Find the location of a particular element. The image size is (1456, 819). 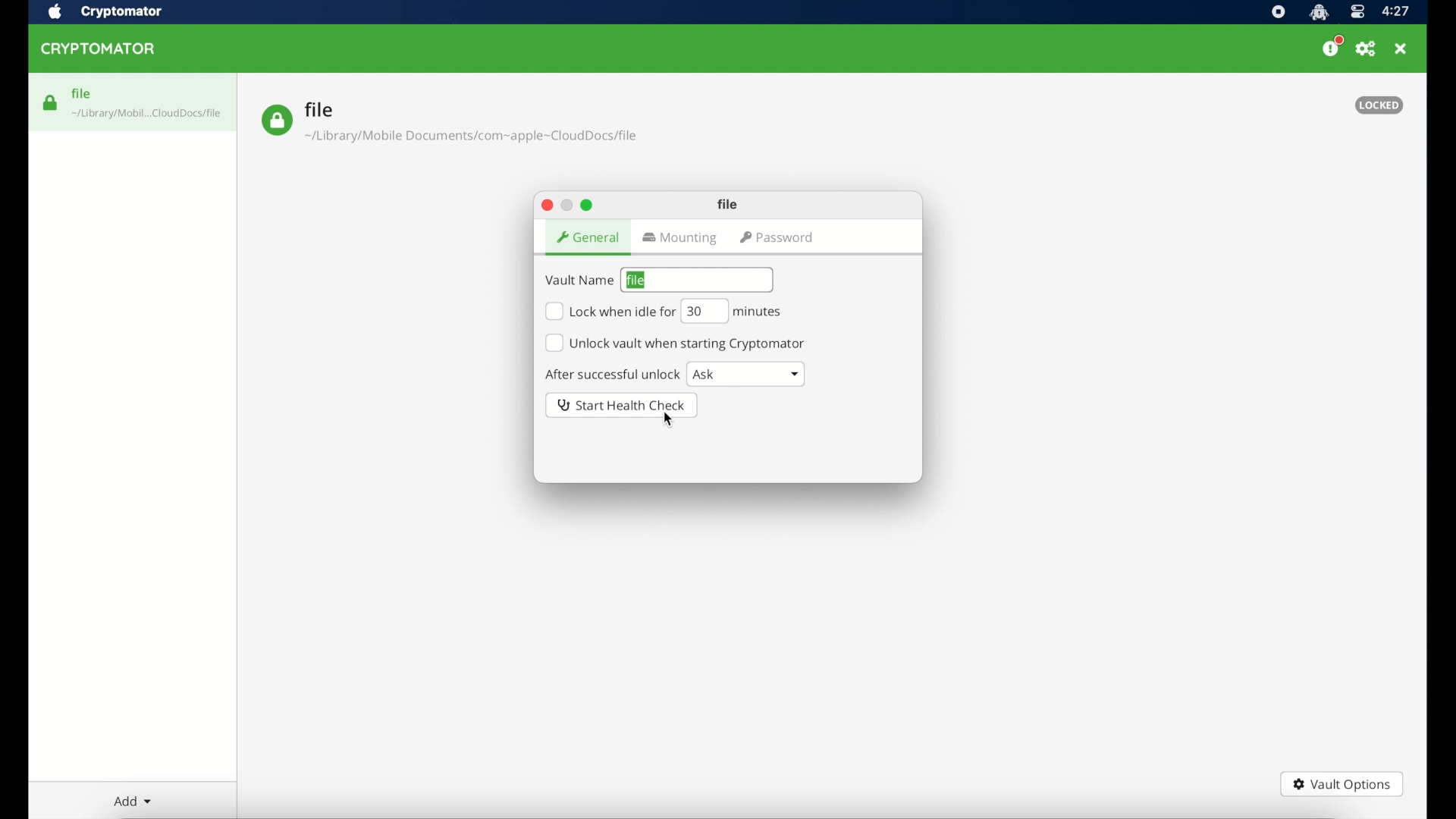

ask is located at coordinates (745, 374).